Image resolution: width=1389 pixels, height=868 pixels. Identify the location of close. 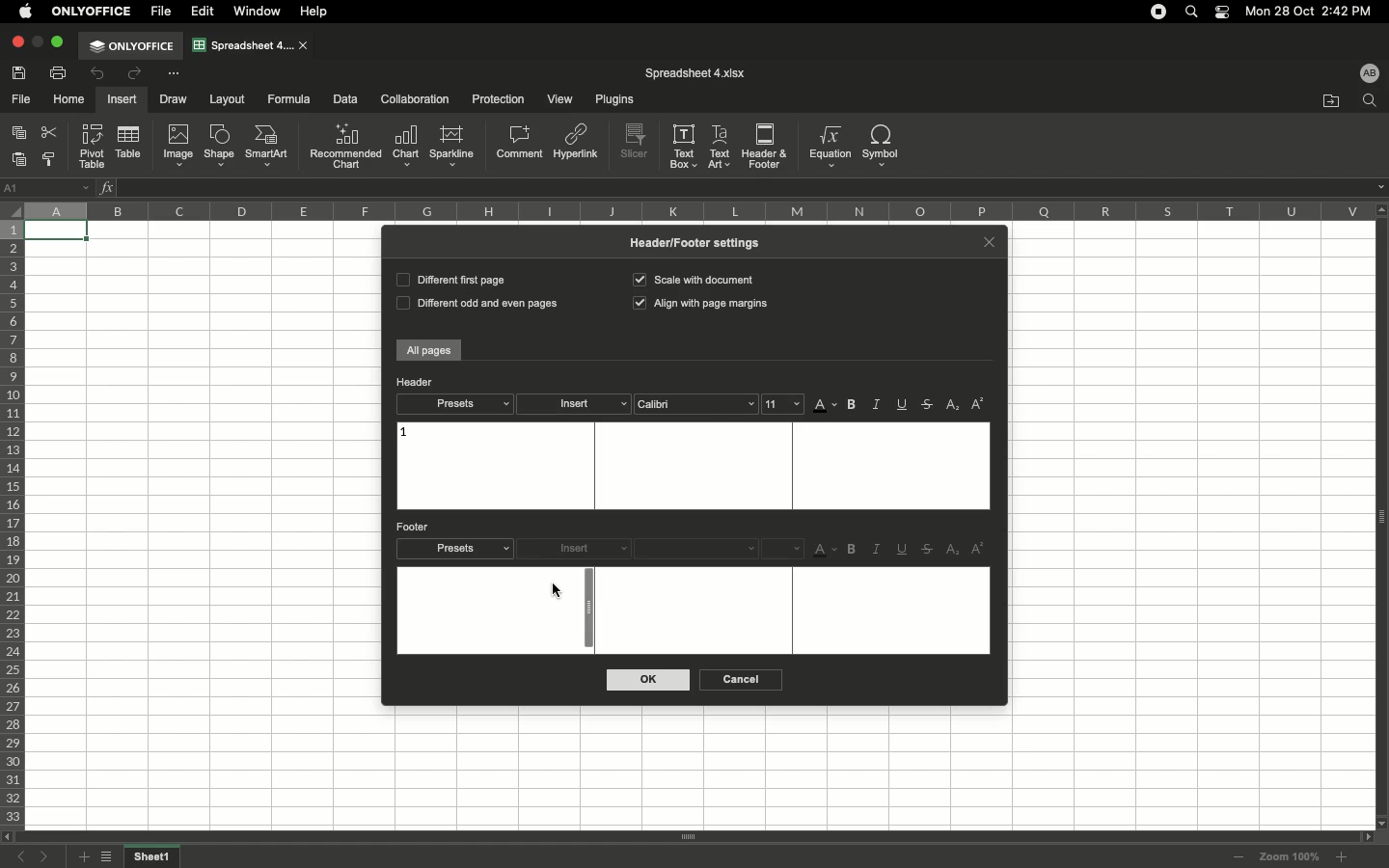
(305, 46).